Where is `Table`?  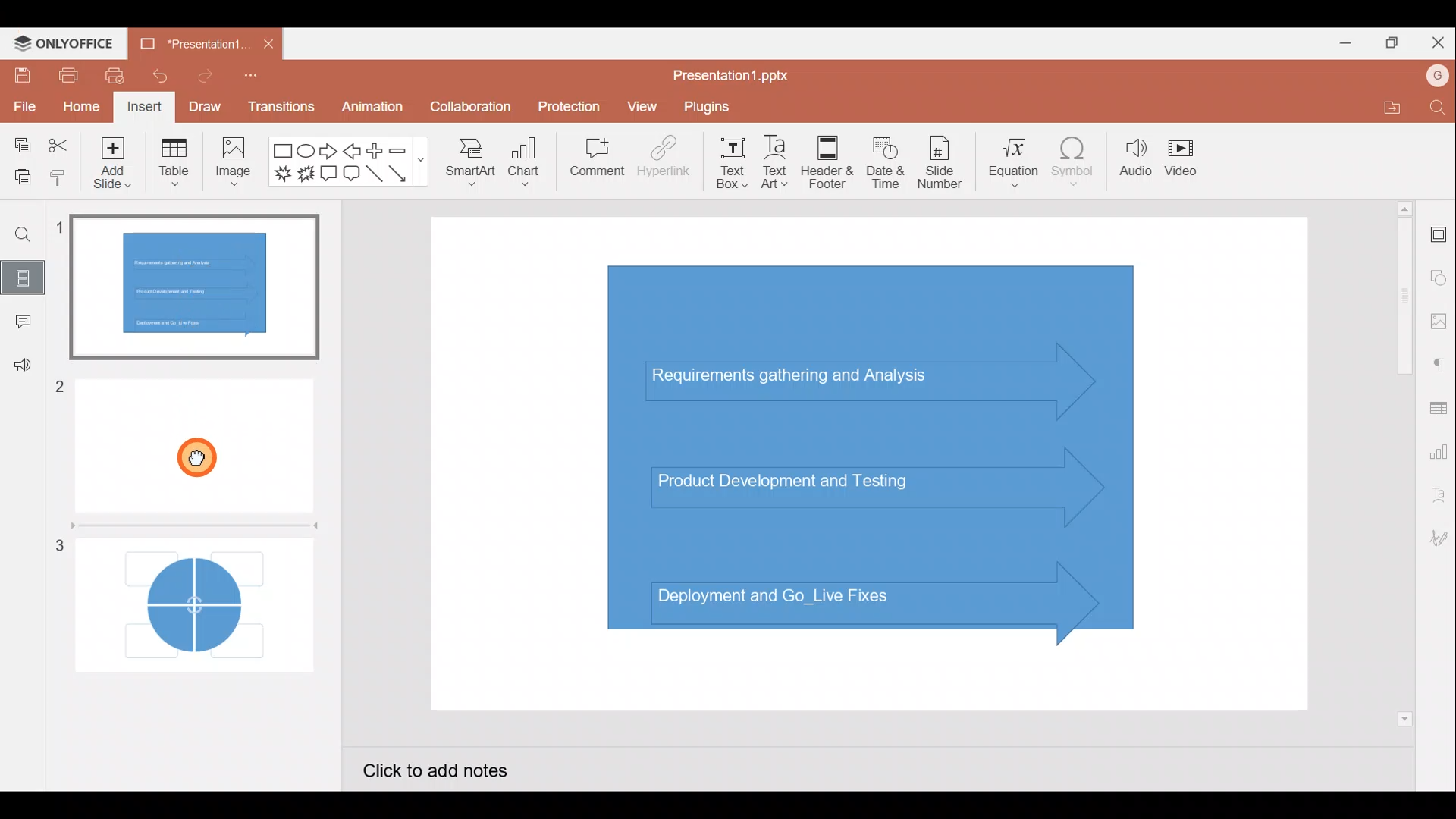
Table is located at coordinates (174, 165).